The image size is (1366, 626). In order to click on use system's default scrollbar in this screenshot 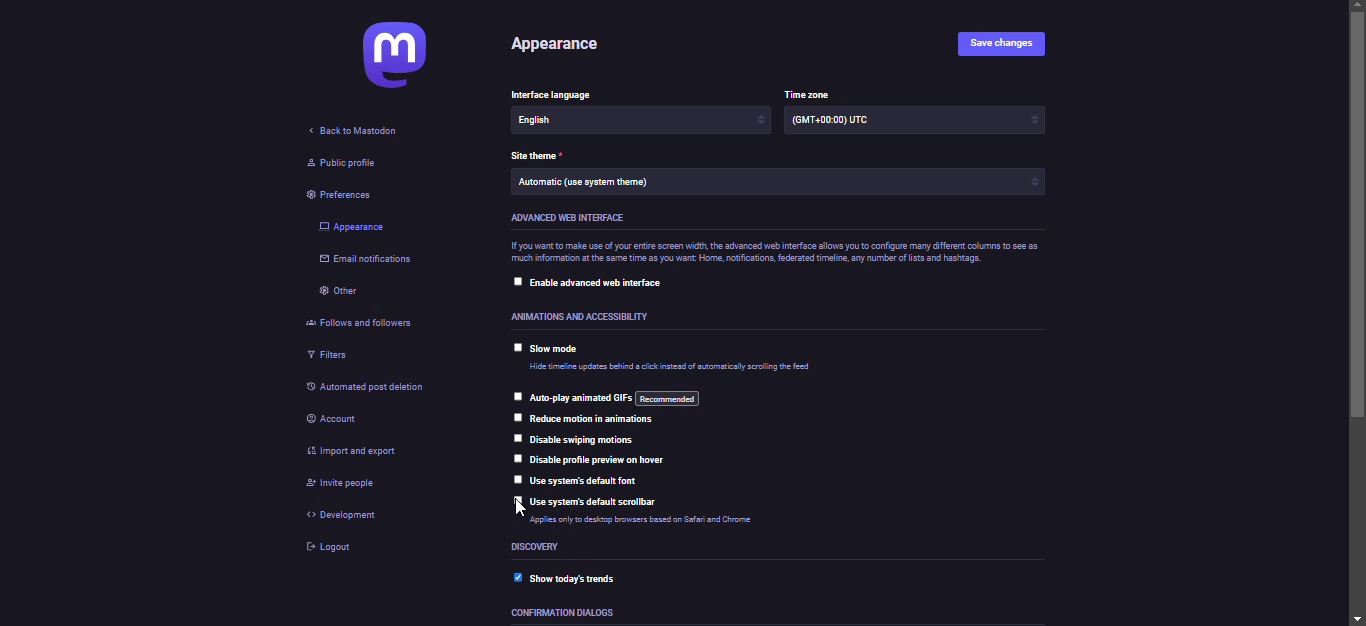, I will do `click(605, 502)`.